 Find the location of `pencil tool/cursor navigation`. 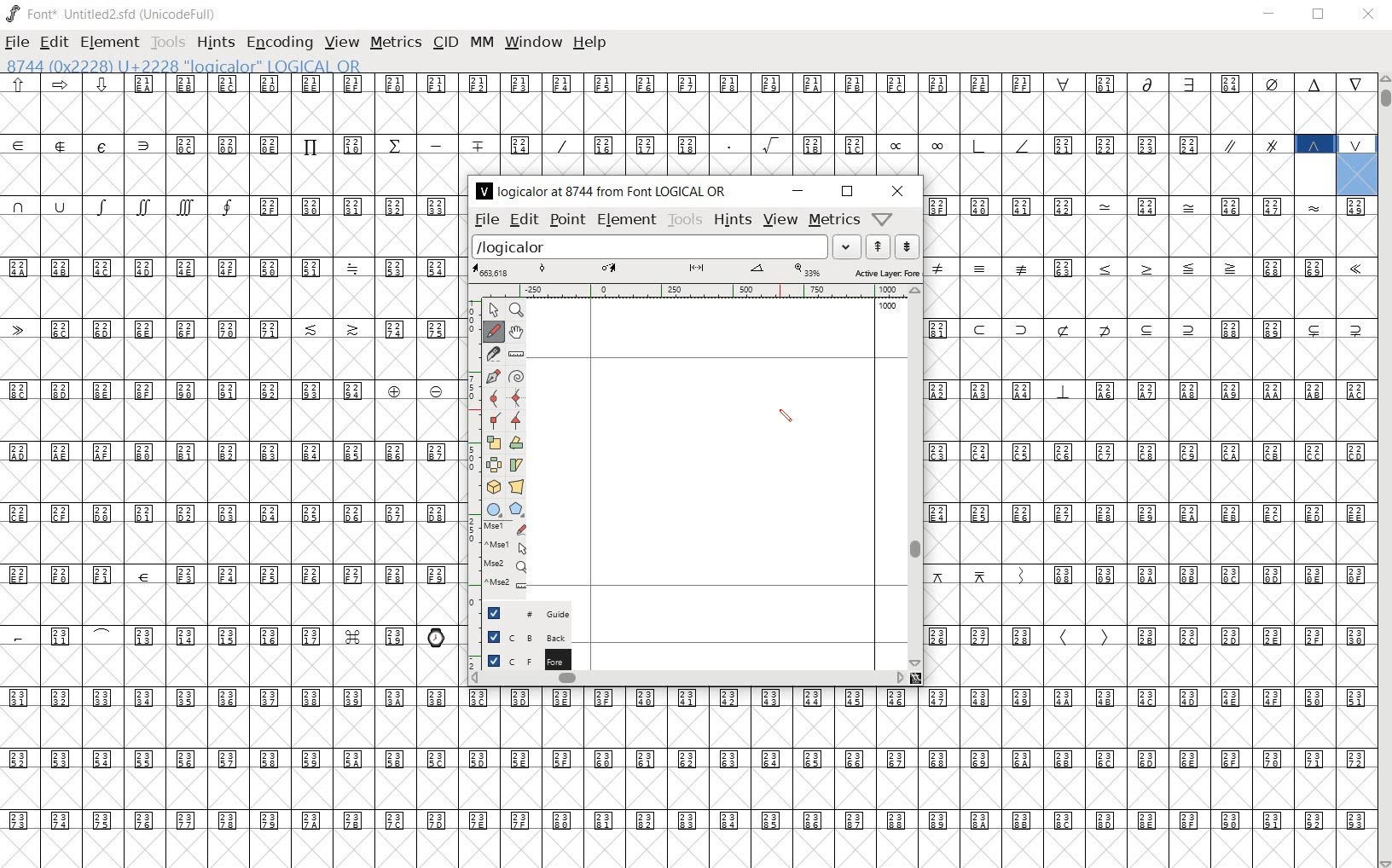

pencil tool/cursor navigation is located at coordinates (786, 419).